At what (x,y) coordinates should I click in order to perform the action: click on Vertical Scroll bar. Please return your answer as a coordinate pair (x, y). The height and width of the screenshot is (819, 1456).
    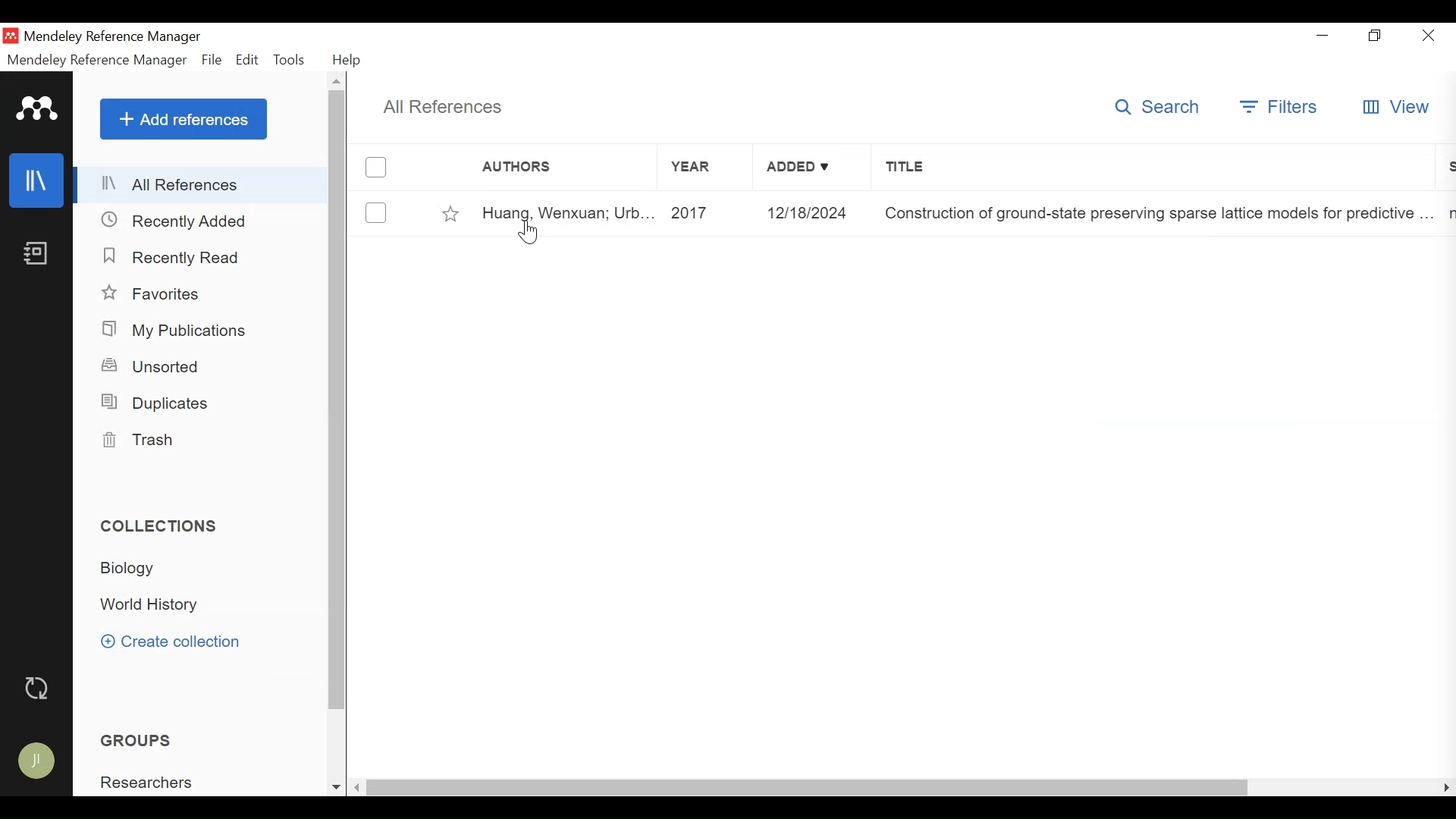
    Looking at the image, I should click on (336, 400).